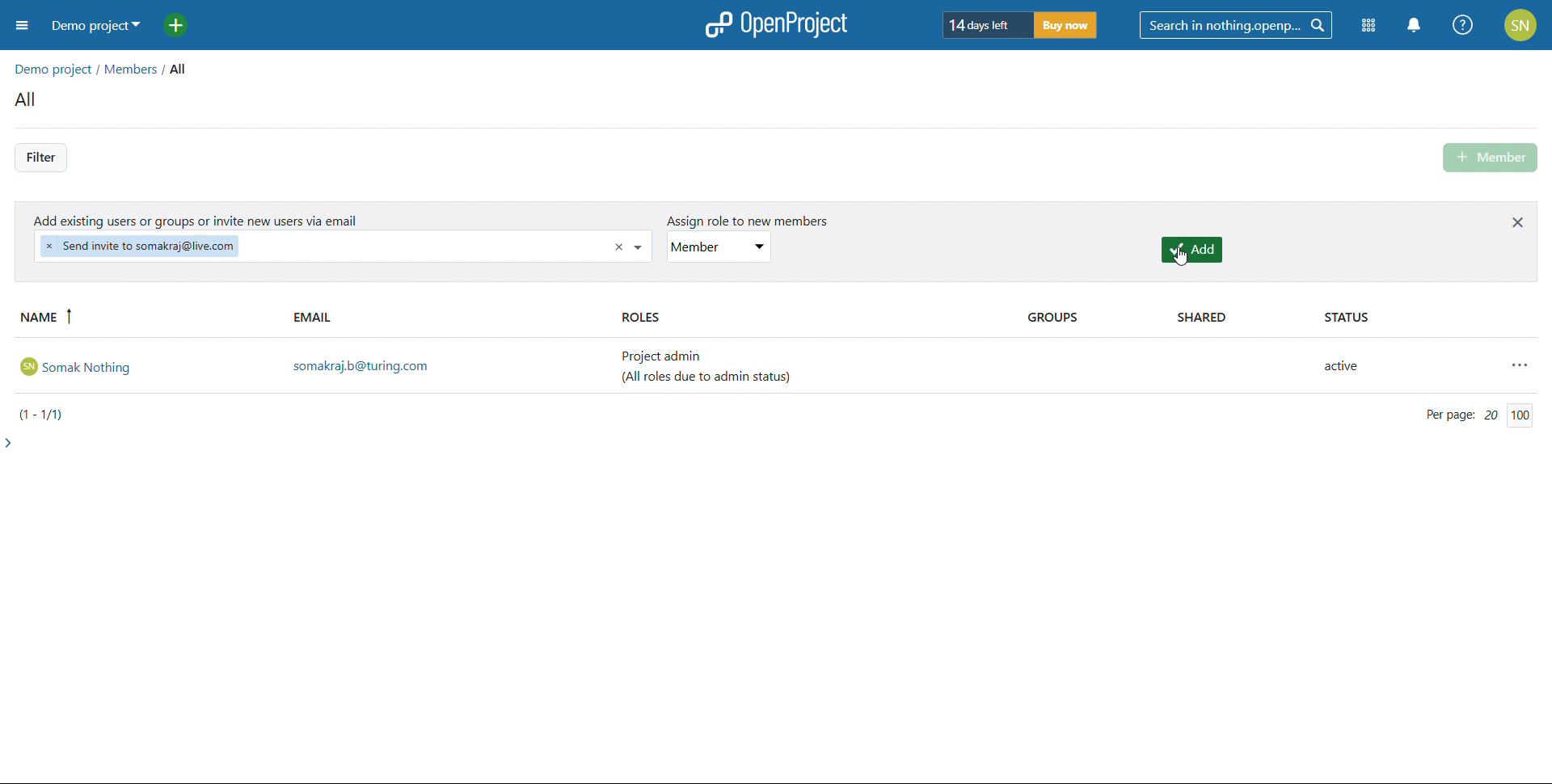 Image resolution: width=1552 pixels, height=784 pixels. What do you see at coordinates (1231, 318) in the screenshot?
I see `shared` at bounding box center [1231, 318].